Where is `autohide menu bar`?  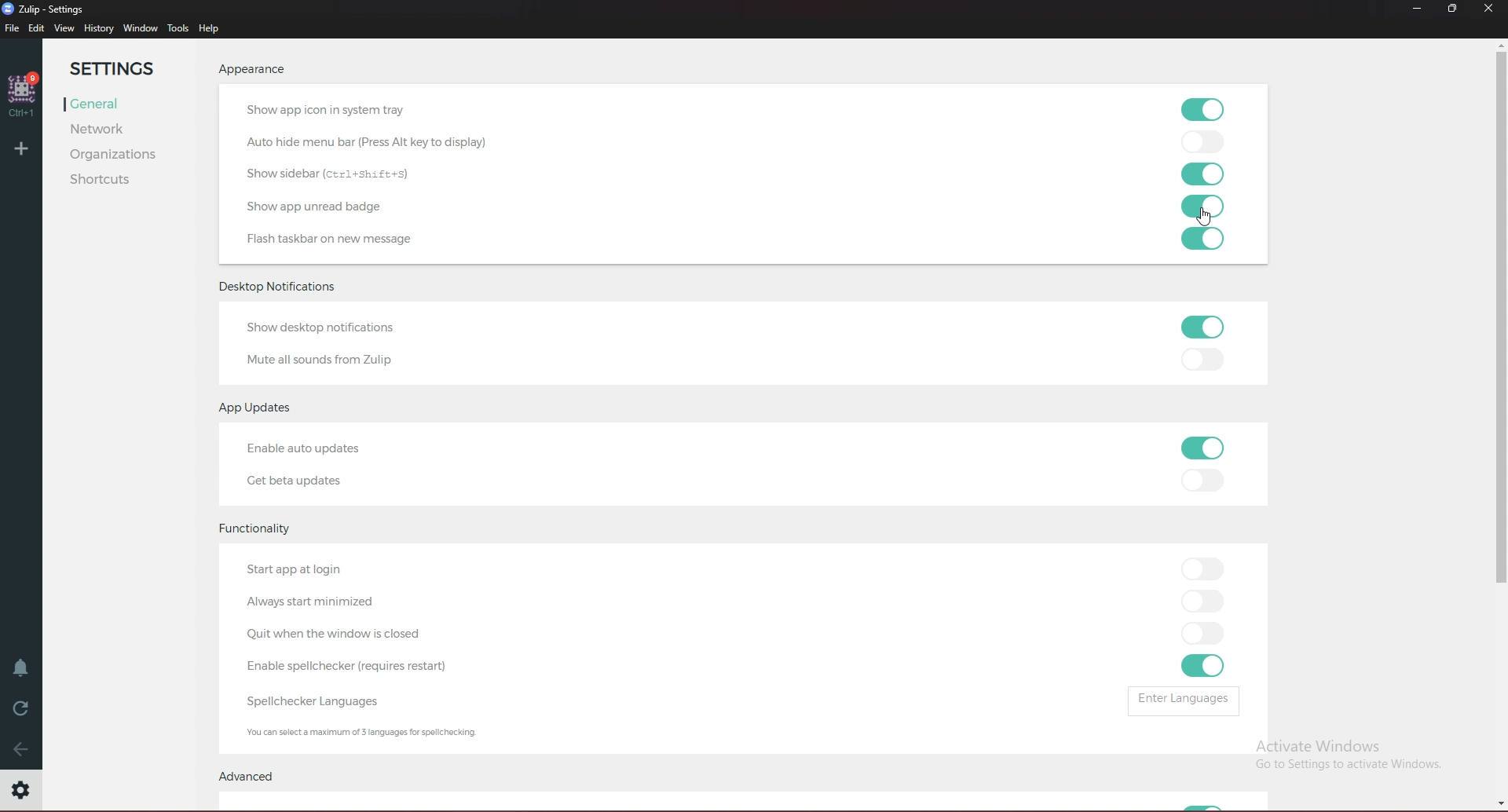
autohide menu bar is located at coordinates (383, 144).